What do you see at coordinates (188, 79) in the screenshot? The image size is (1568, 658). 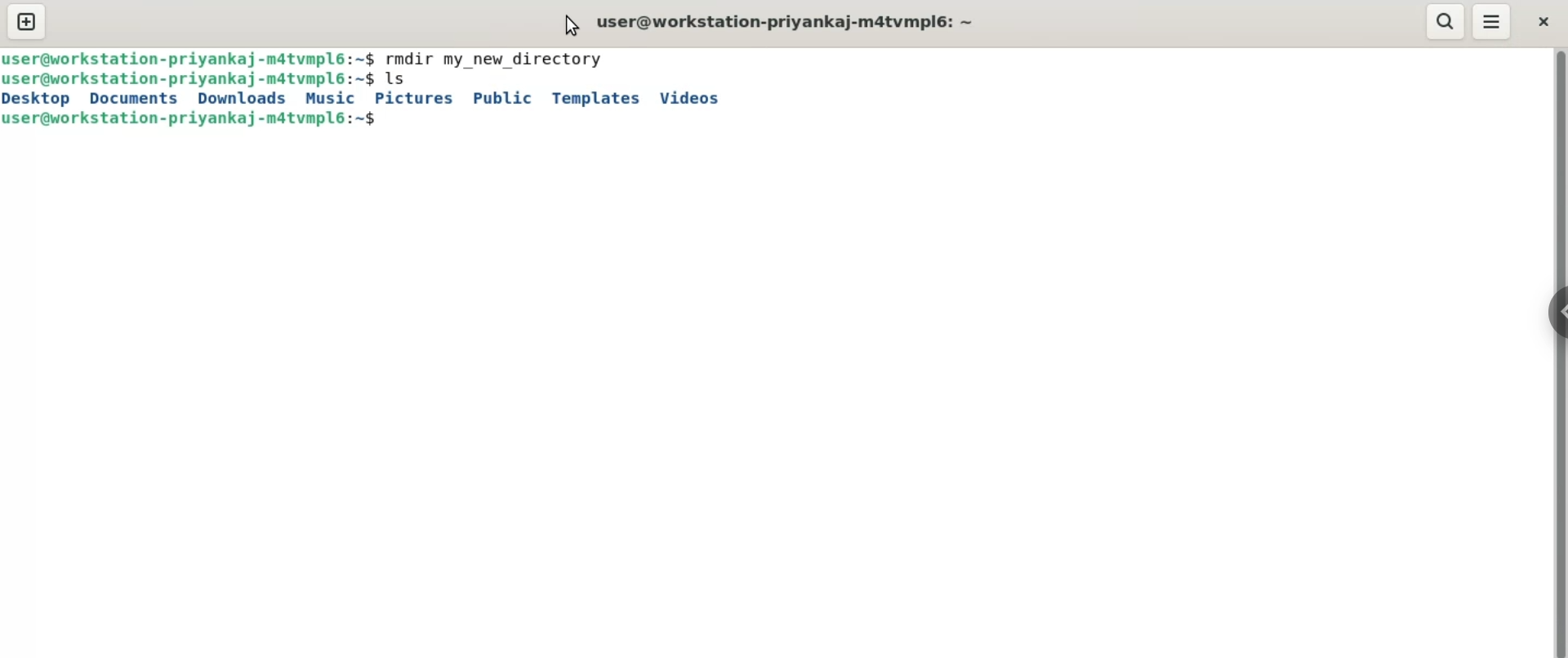 I see `user@workstation-priyanka-m4tvmpl6:~$` at bounding box center [188, 79].